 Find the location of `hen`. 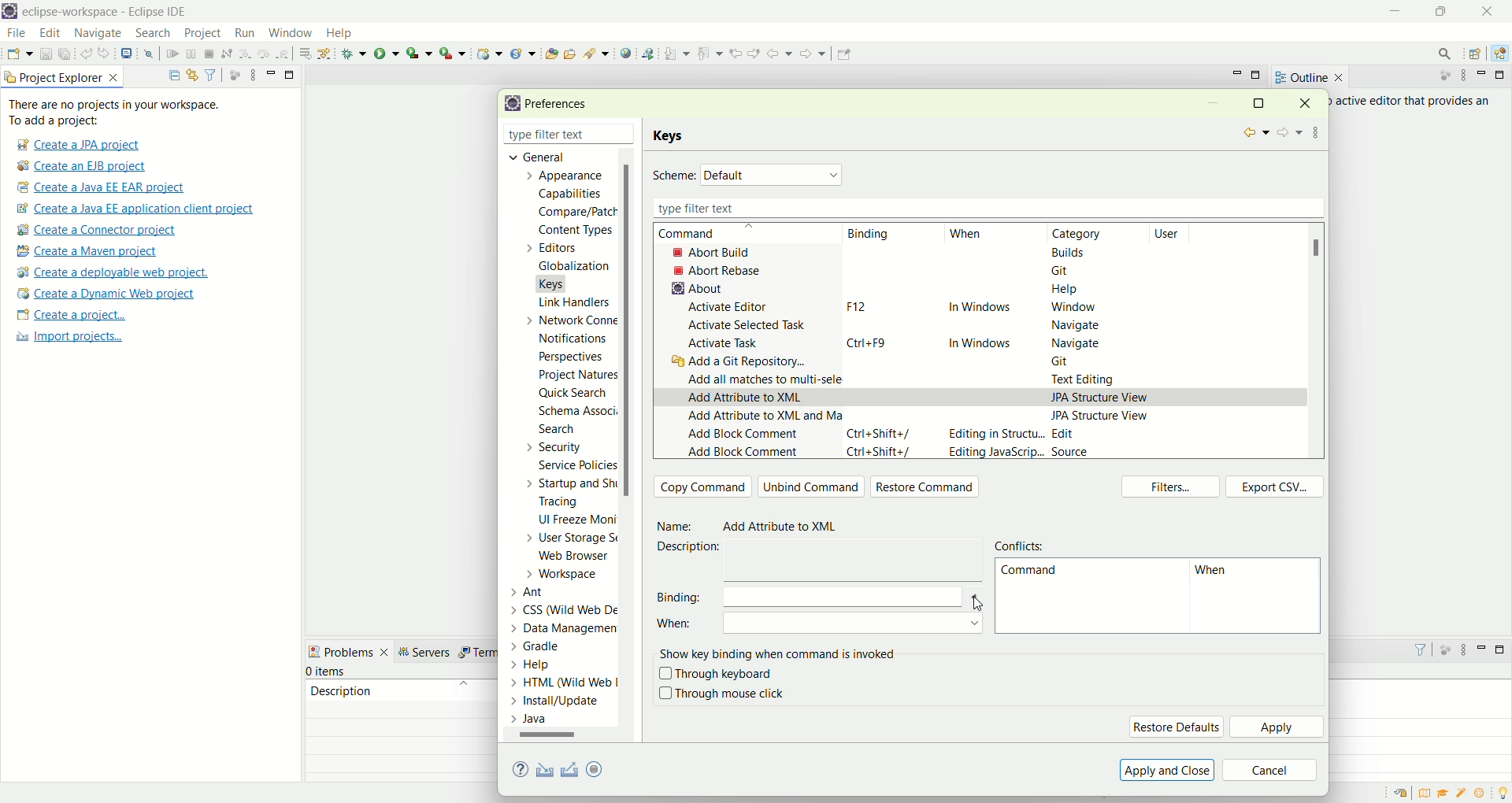

hen is located at coordinates (1216, 573).